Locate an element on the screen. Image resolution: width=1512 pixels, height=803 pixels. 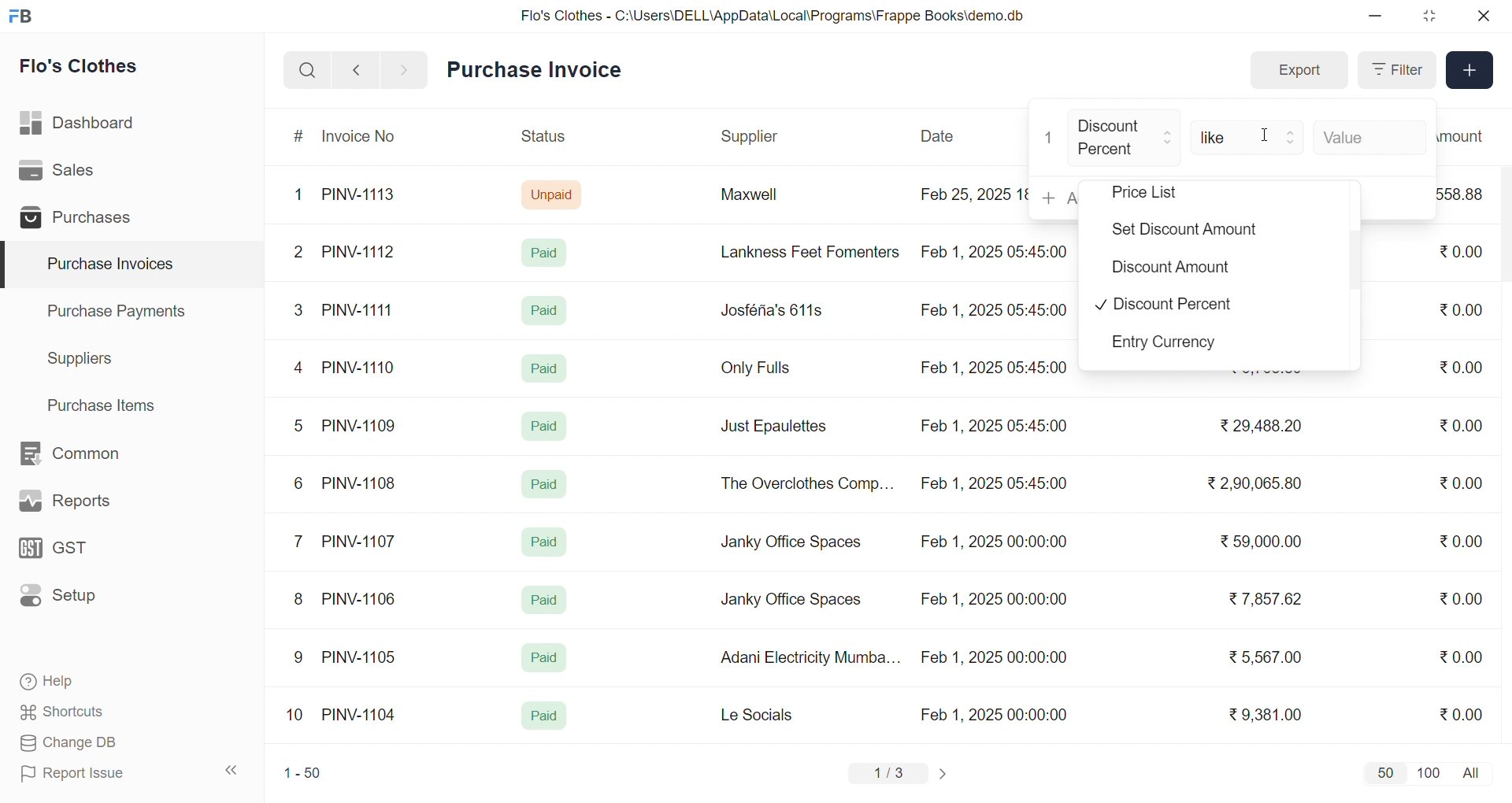
Filter is located at coordinates (1395, 70).